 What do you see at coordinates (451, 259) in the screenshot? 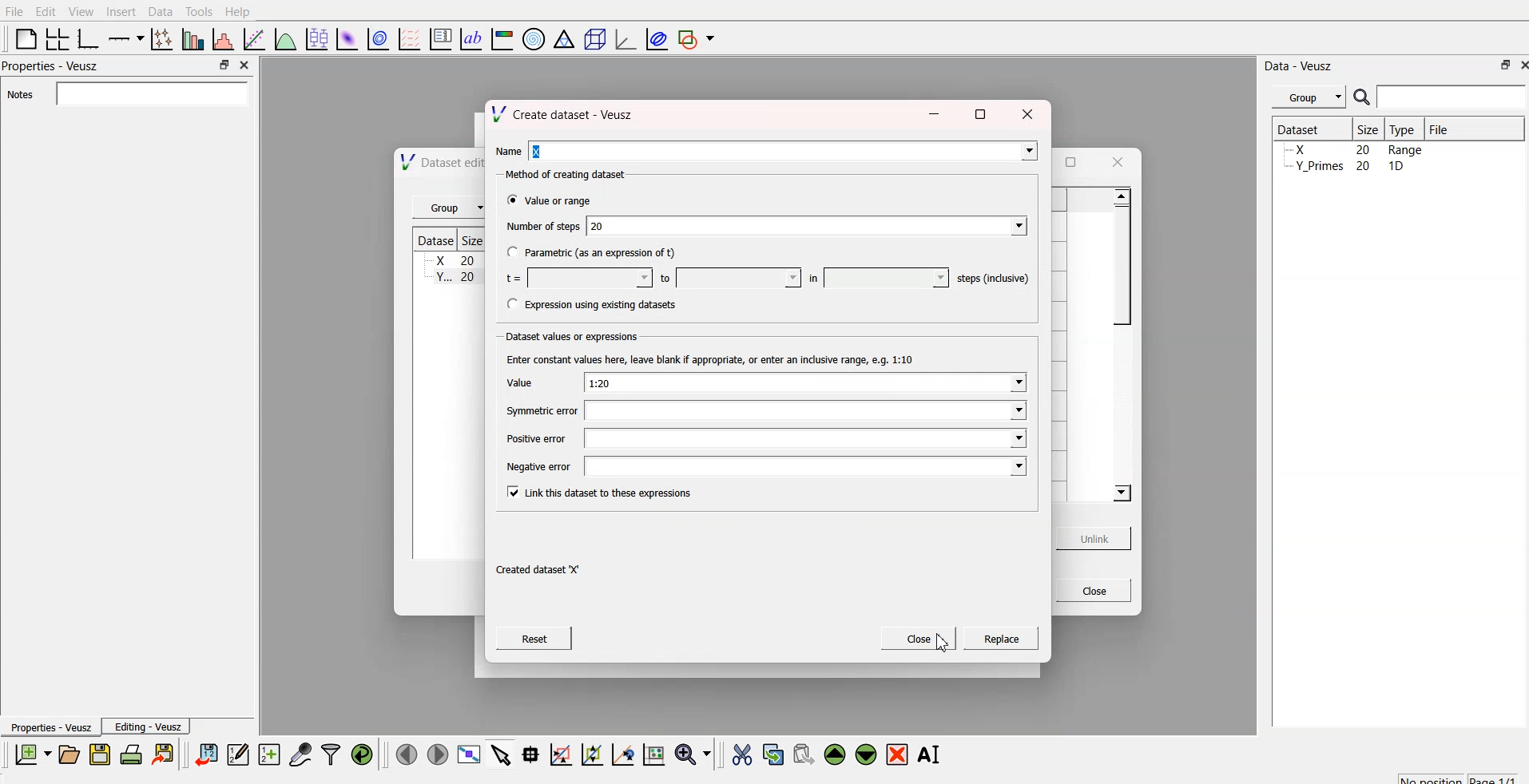
I see `Y.. 28` at bounding box center [451, 259].